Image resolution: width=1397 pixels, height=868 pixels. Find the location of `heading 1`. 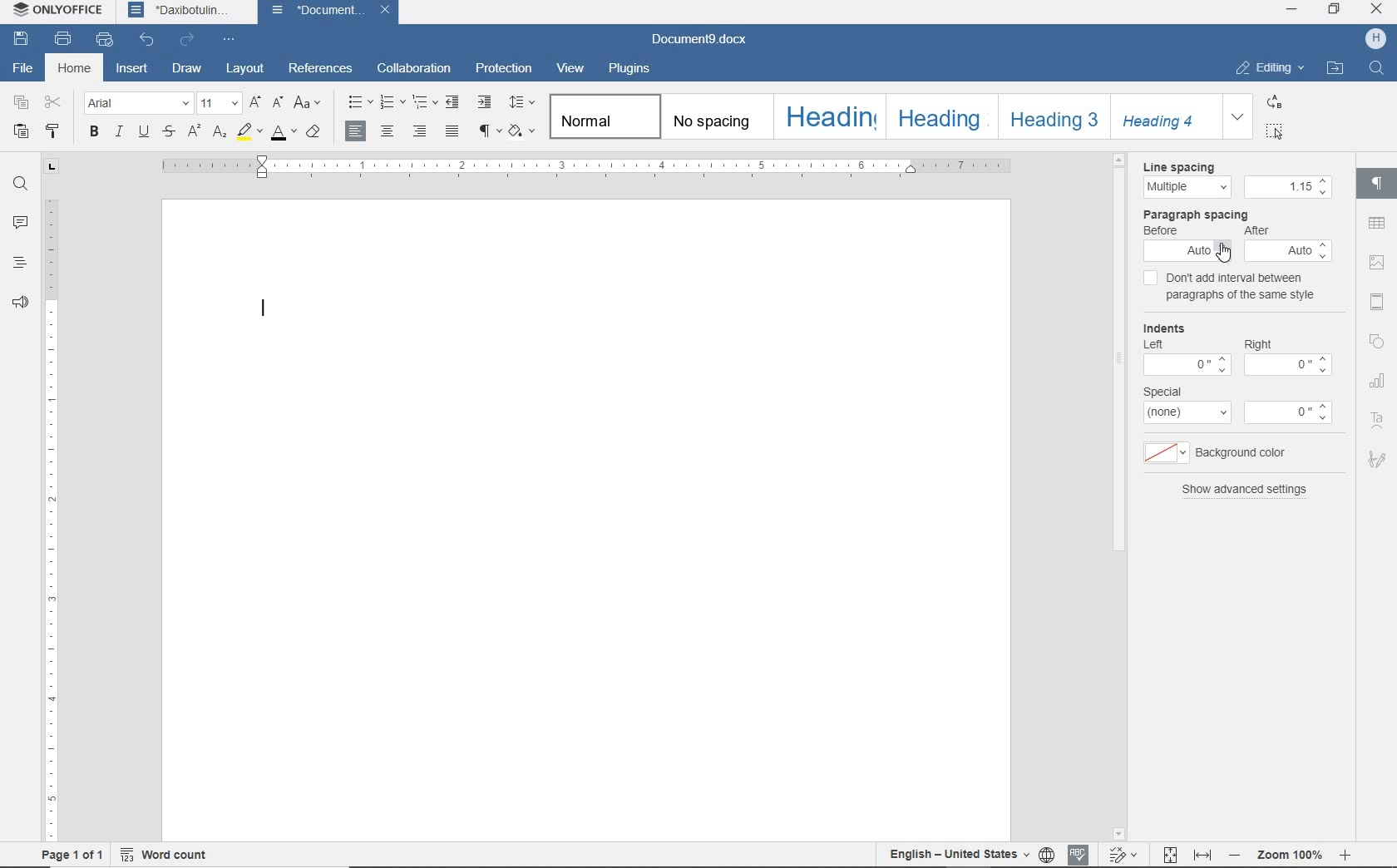

heading 1 is located at coordinates (828, 118).